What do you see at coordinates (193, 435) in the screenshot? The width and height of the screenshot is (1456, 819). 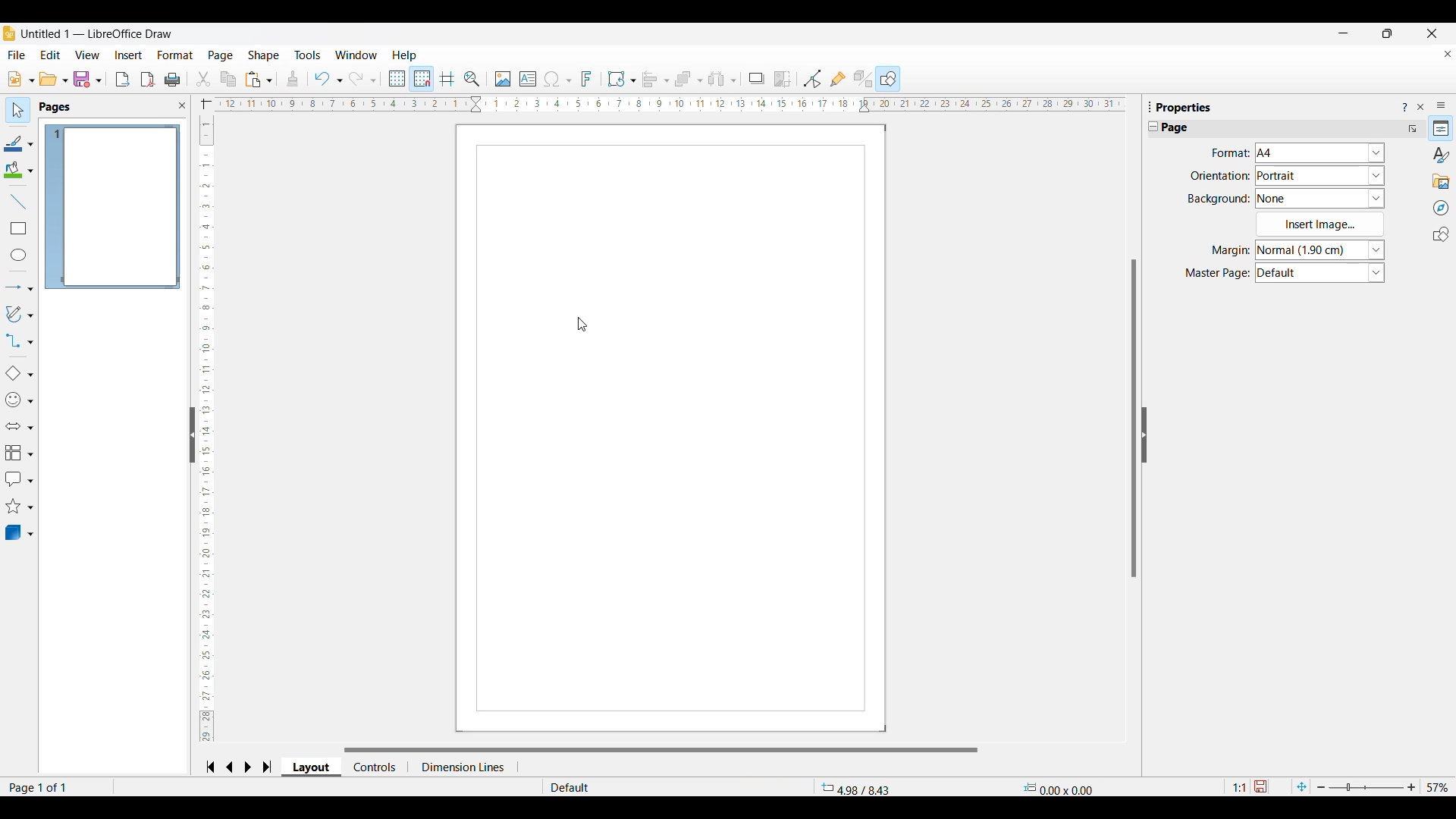 I see `Click to collapse side bar` at bounding box center [193, 435].